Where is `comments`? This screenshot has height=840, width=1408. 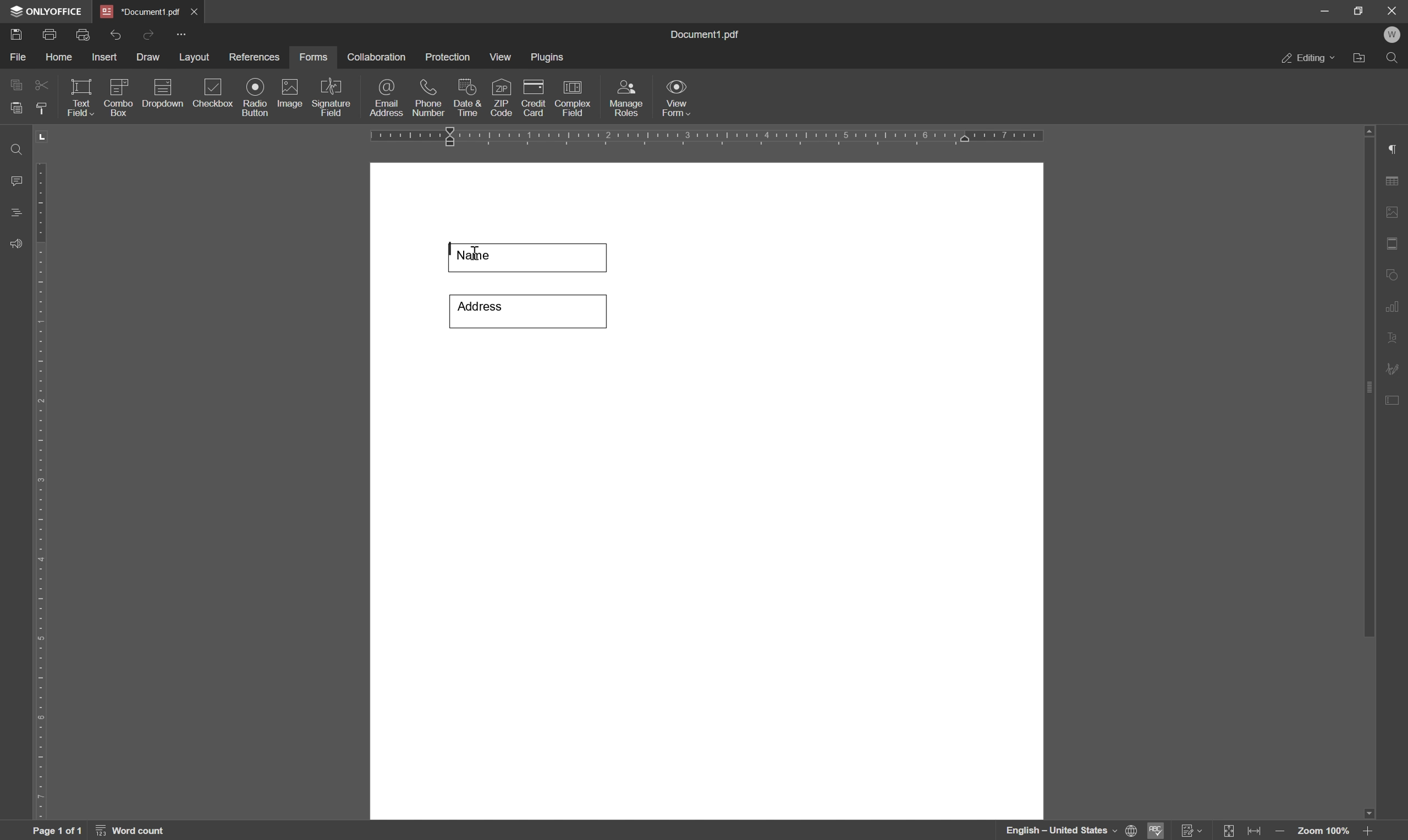 comments is located at coordinates (14, 181).